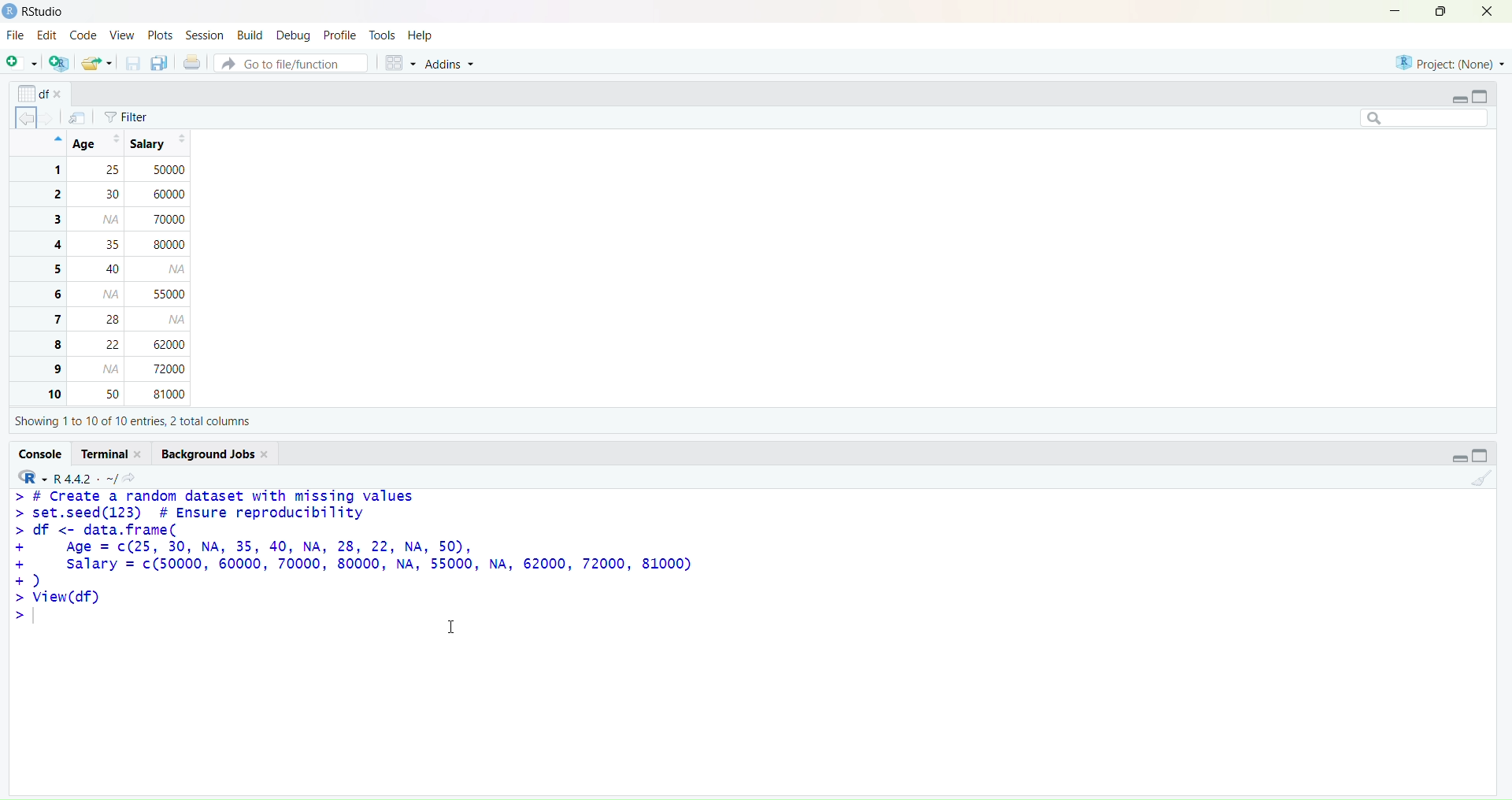 This screenshot has height=800, width=1512. What do you see at coordinates (27, 117) in the screenshot?
I see `backward` at bounding box center [27, 117].